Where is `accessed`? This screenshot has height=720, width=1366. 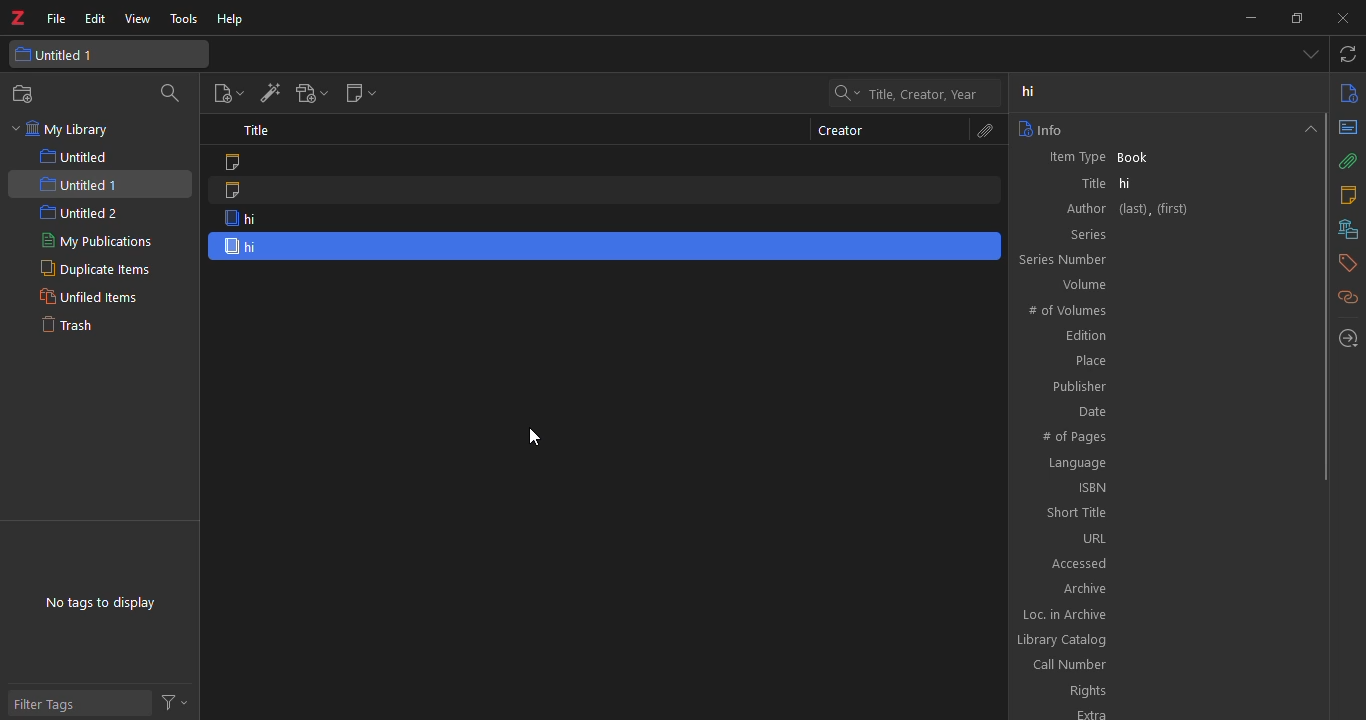 accessed is located at coordinates (1077, 563).